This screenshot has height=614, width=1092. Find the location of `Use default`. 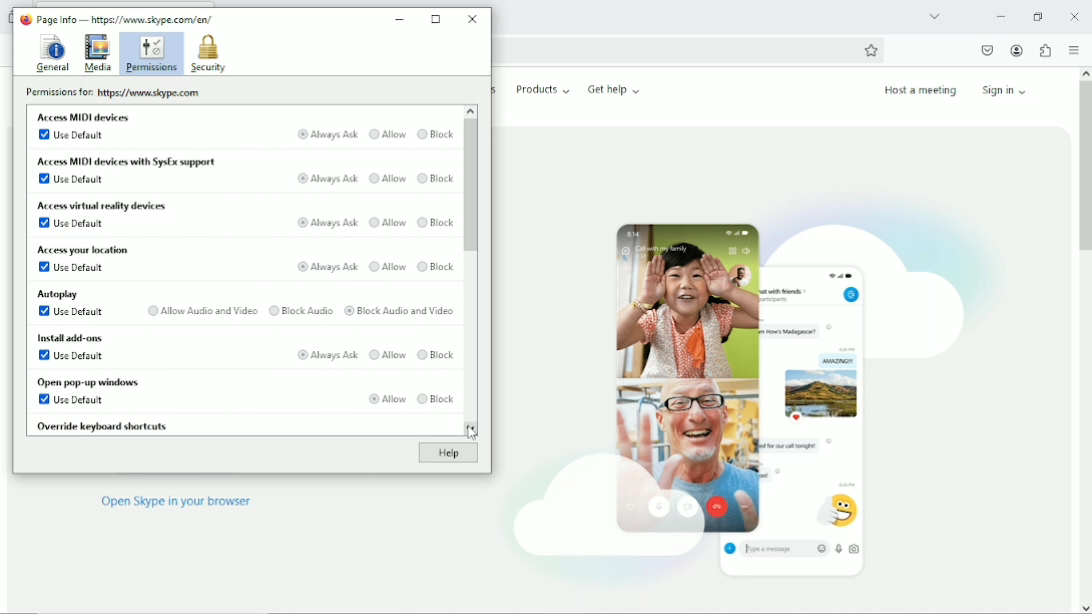

Use default is located at coordinates (72, 136).